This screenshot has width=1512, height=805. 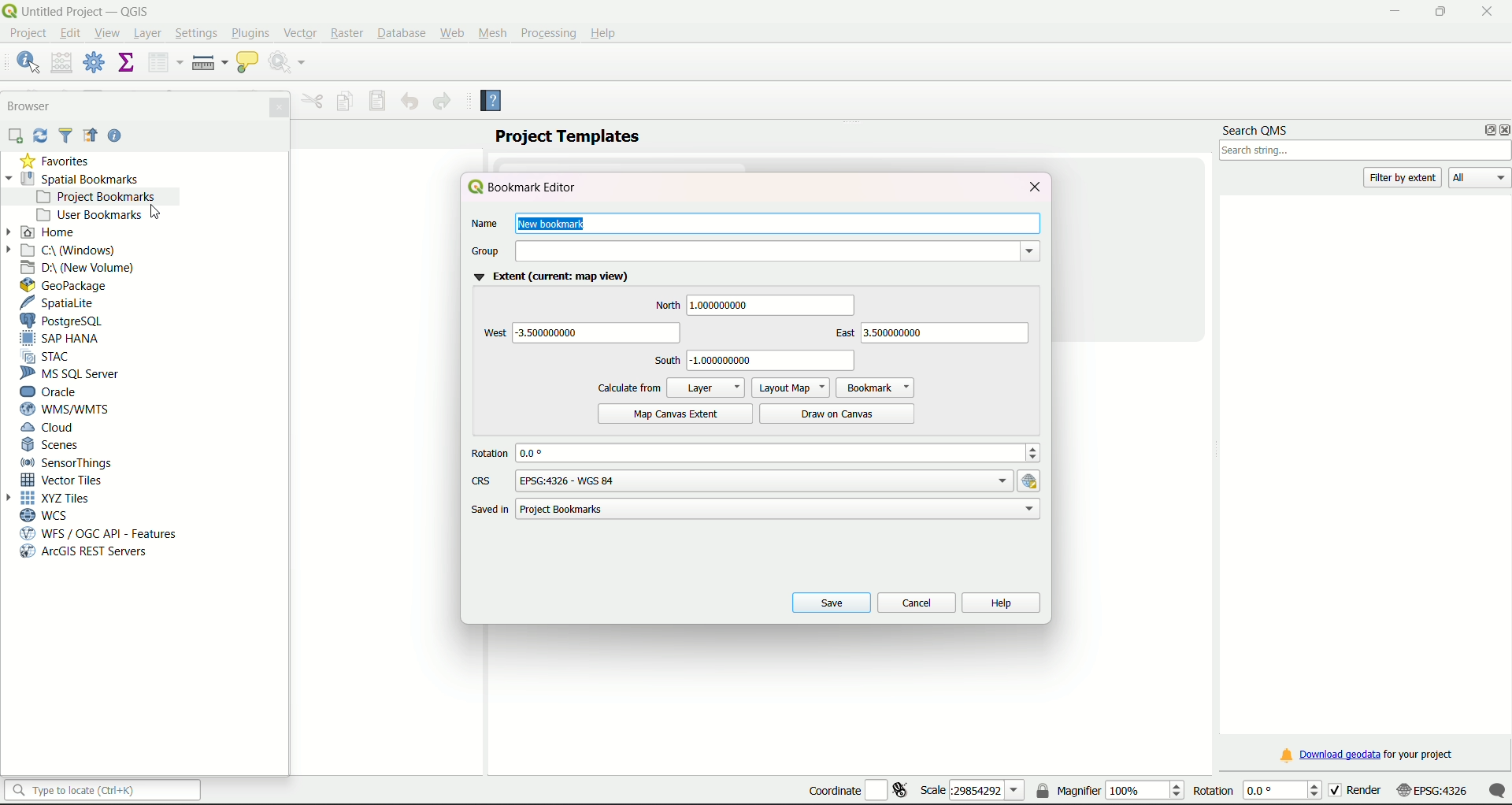 I want to click on , so click(x=313, y=101).